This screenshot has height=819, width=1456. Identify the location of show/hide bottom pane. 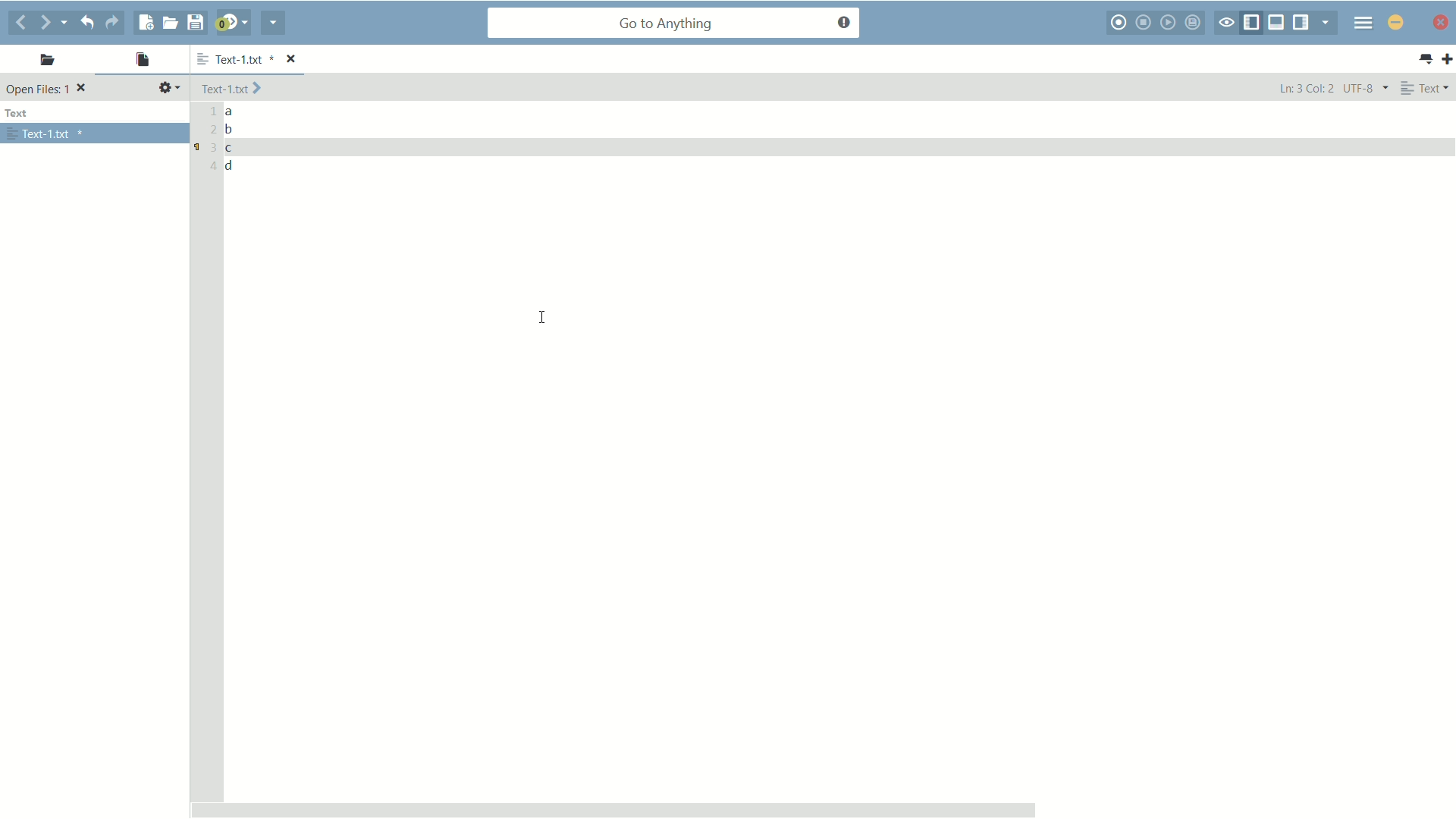
(1276, 22).